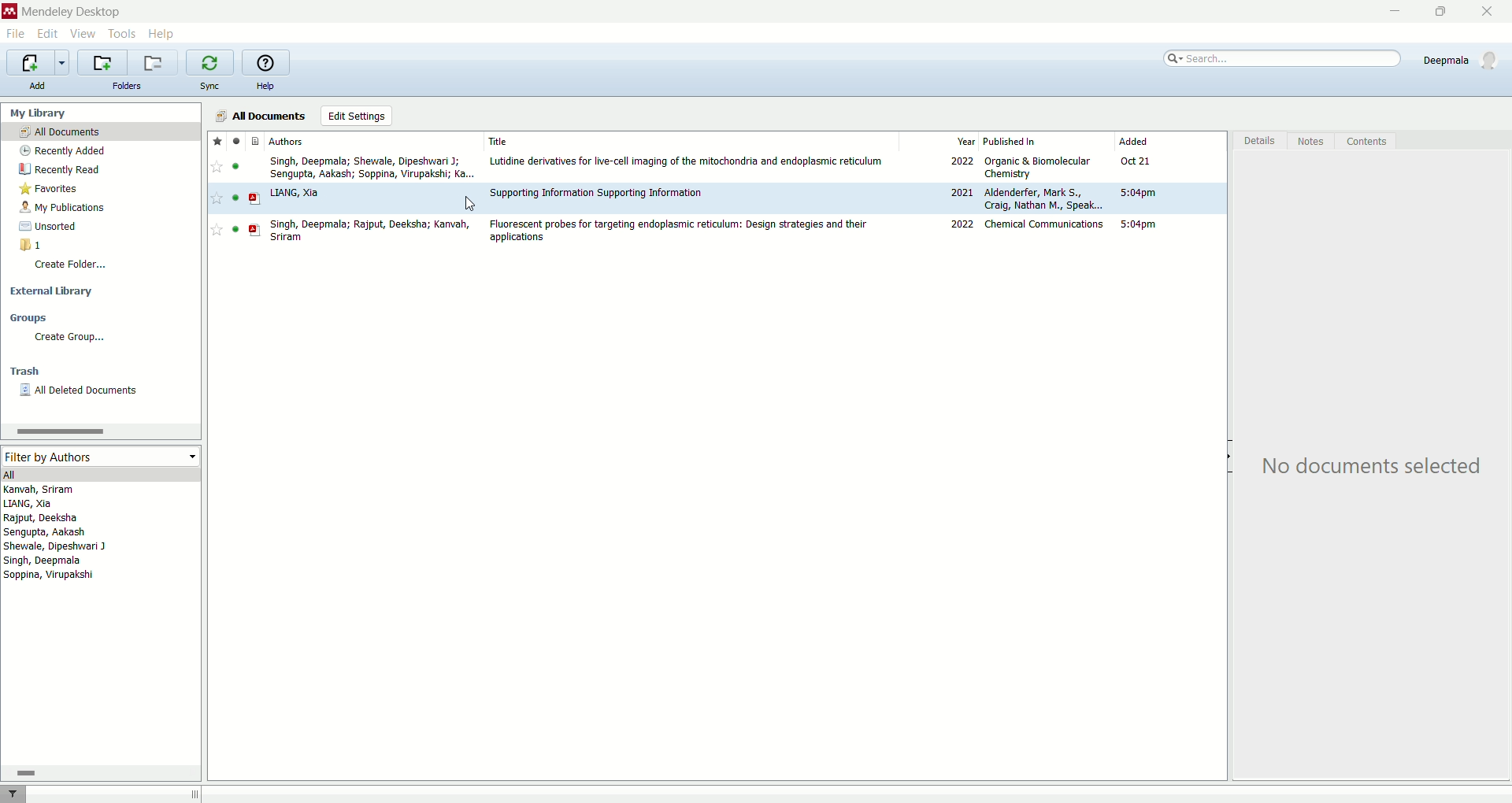 This screenshot has height=803, width=1512. What do you see at coordinates (123, 33) in the screenshot?
I see `tools` at bounding box center [123, 33].